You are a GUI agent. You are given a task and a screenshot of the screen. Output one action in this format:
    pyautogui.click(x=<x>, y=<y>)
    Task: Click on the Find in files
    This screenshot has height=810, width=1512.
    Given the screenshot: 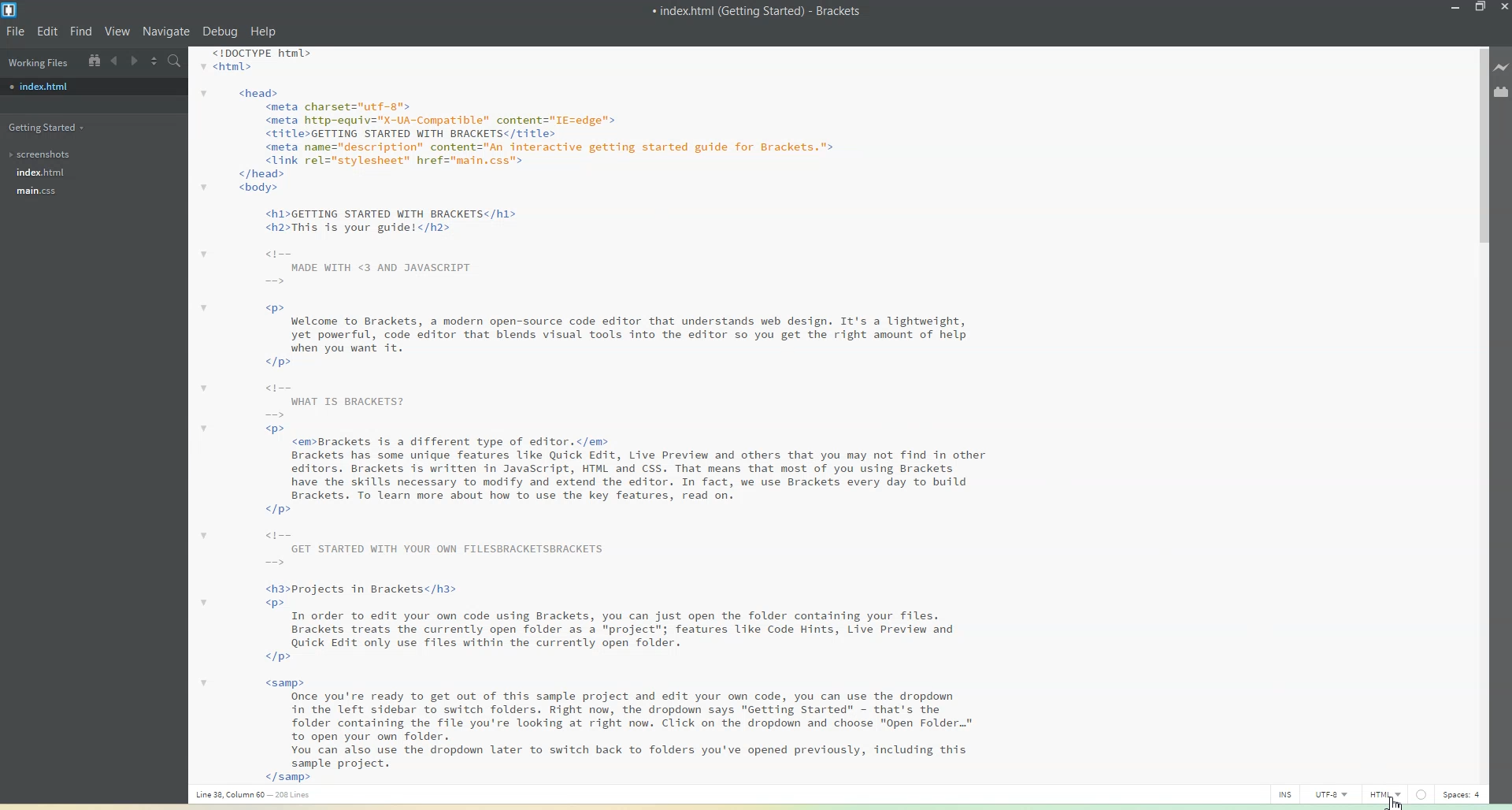 What is the action you would take?
    pyautogui.click(x=176, y=61)
    